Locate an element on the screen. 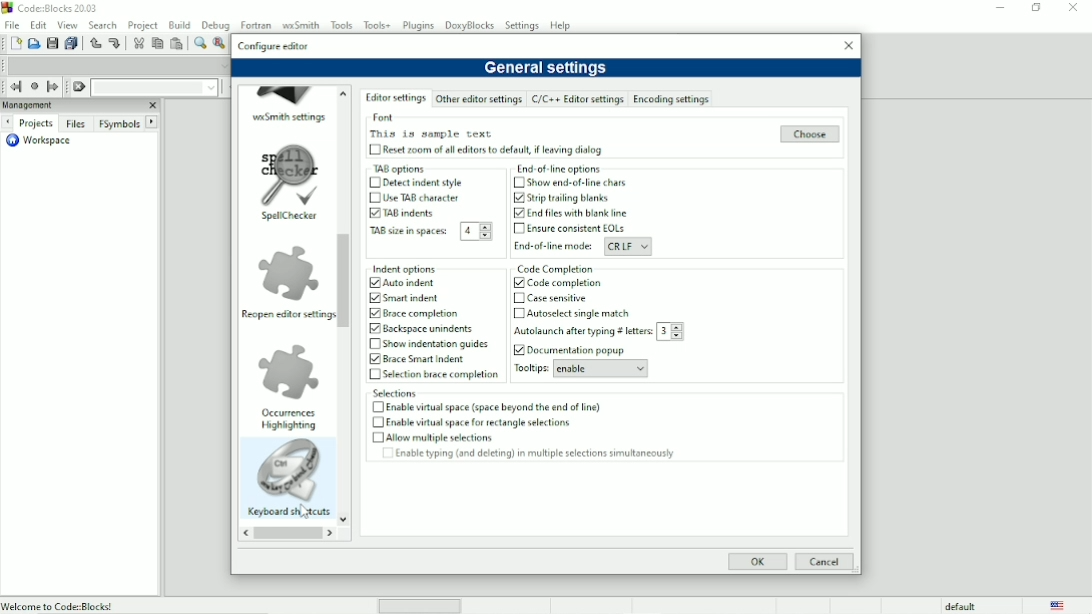 This screenshot has height=614, width=1092. TAB indents is located at coordinates (415, 211).